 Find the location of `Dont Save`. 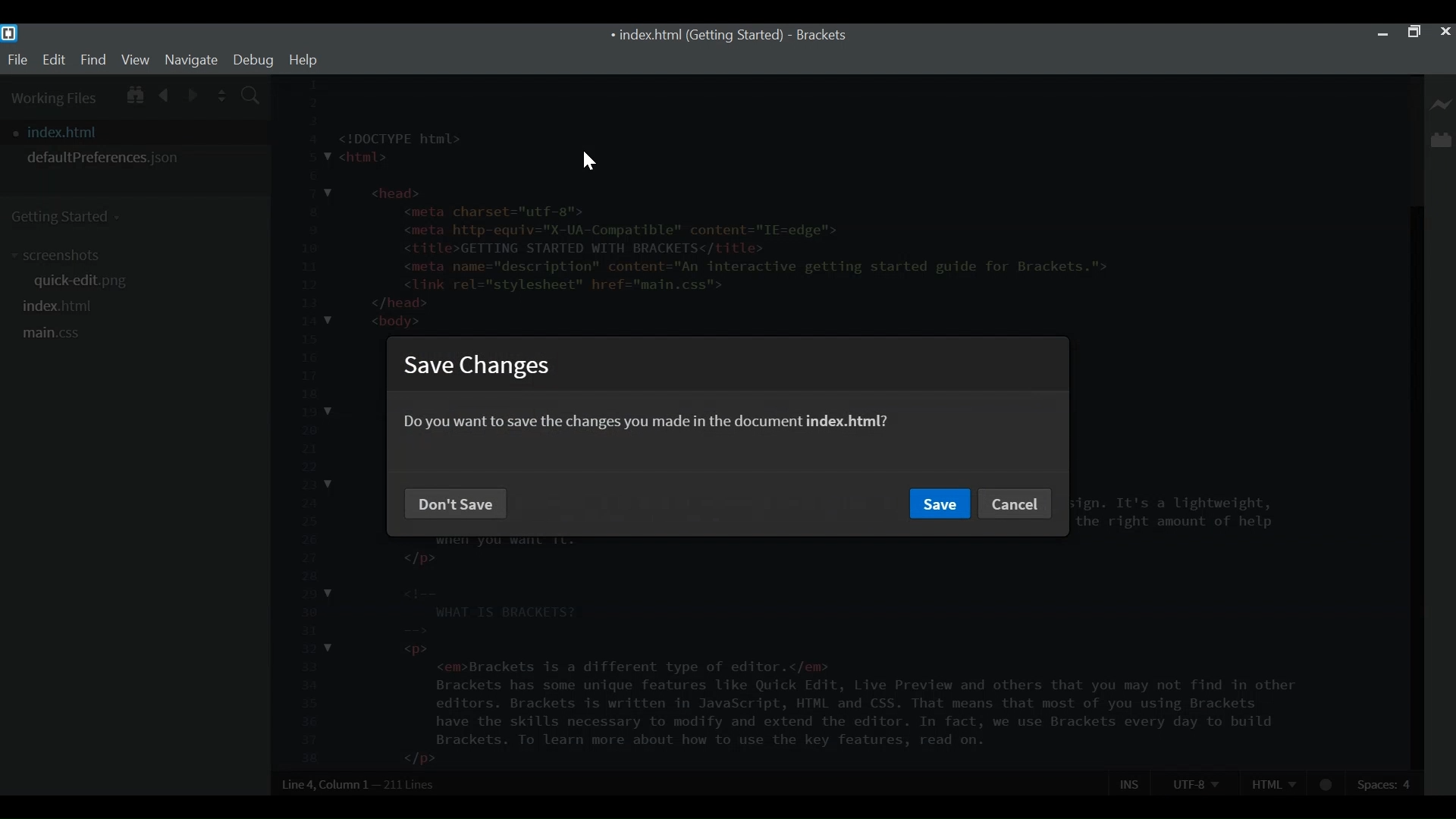

Dont Save is located at coordinates (457, 501).